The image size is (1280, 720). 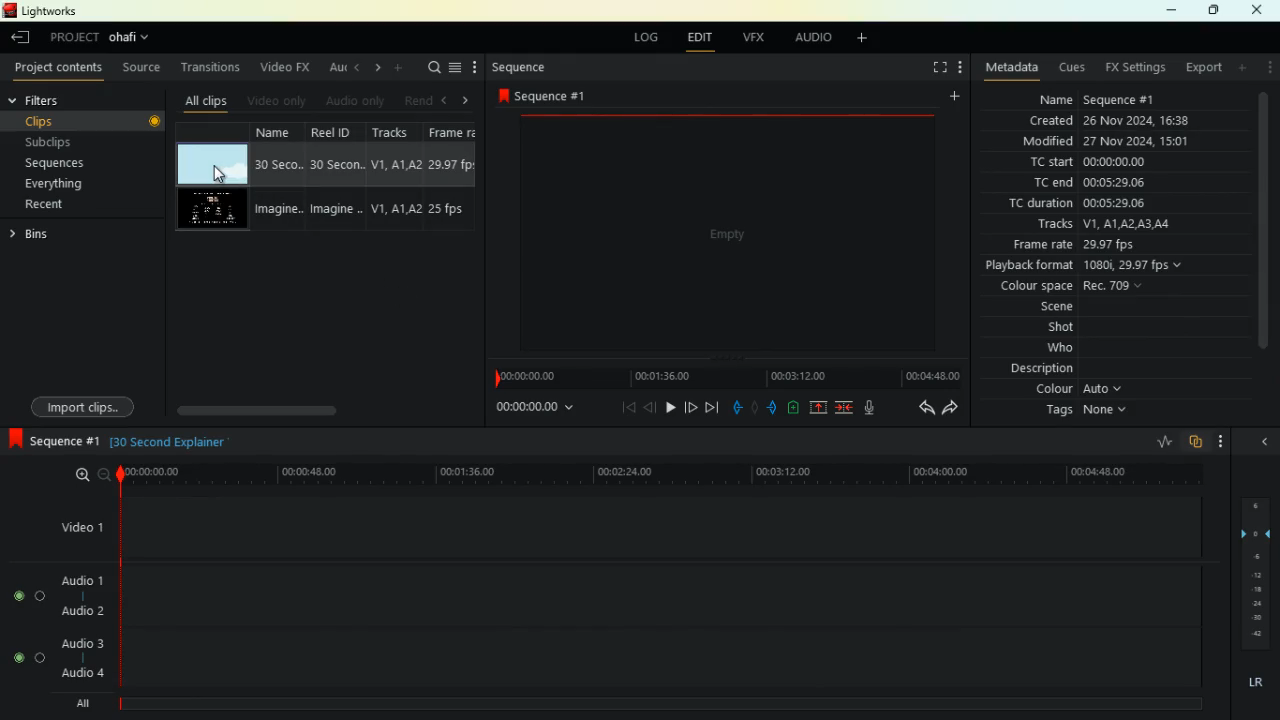 What do you see at coordinates (951, 410) in the screenshot?
I see `forward` at bounding box center [951, 410].